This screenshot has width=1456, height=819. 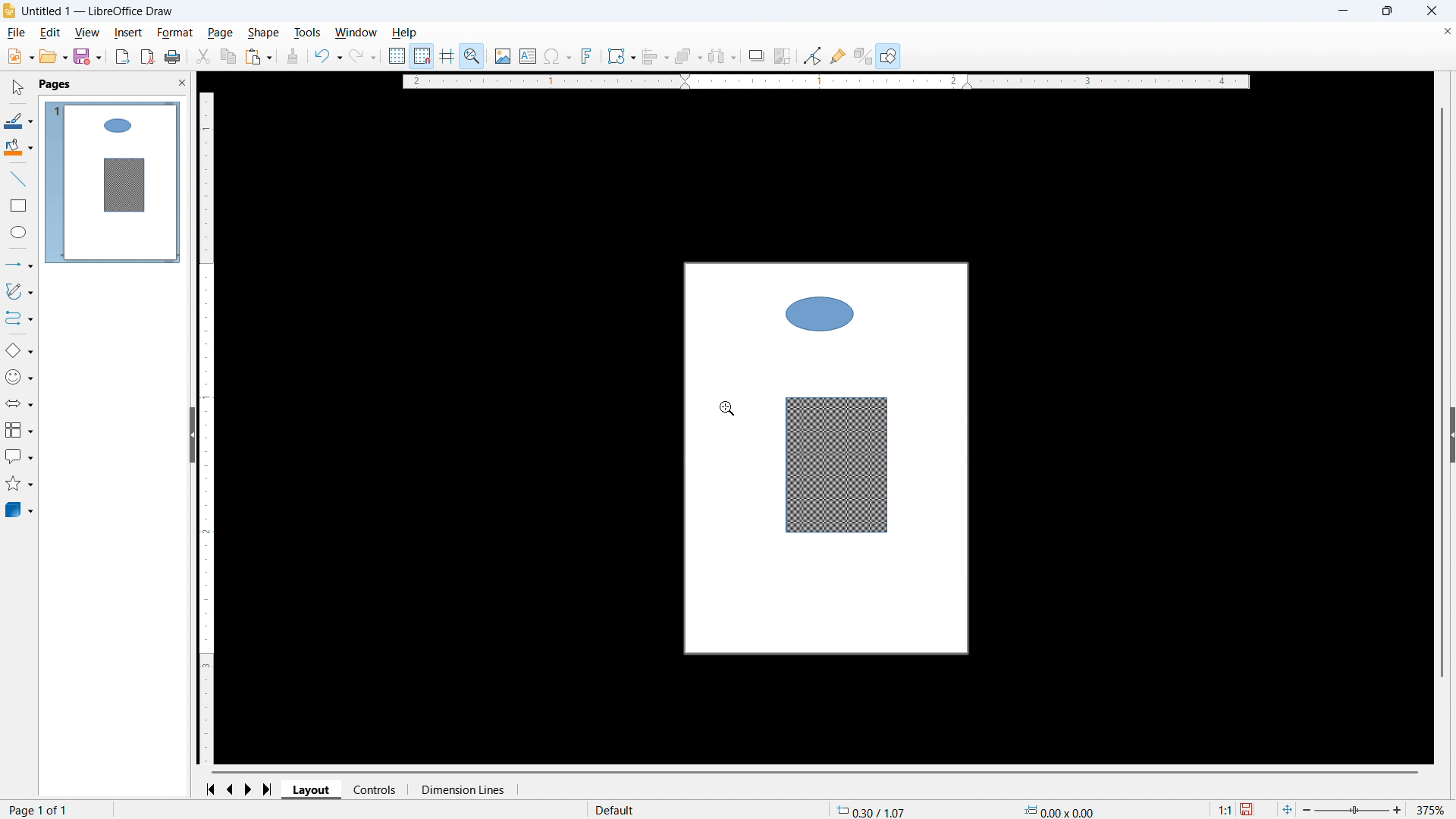 I want to click on Paste , so click(x=259, y=56).